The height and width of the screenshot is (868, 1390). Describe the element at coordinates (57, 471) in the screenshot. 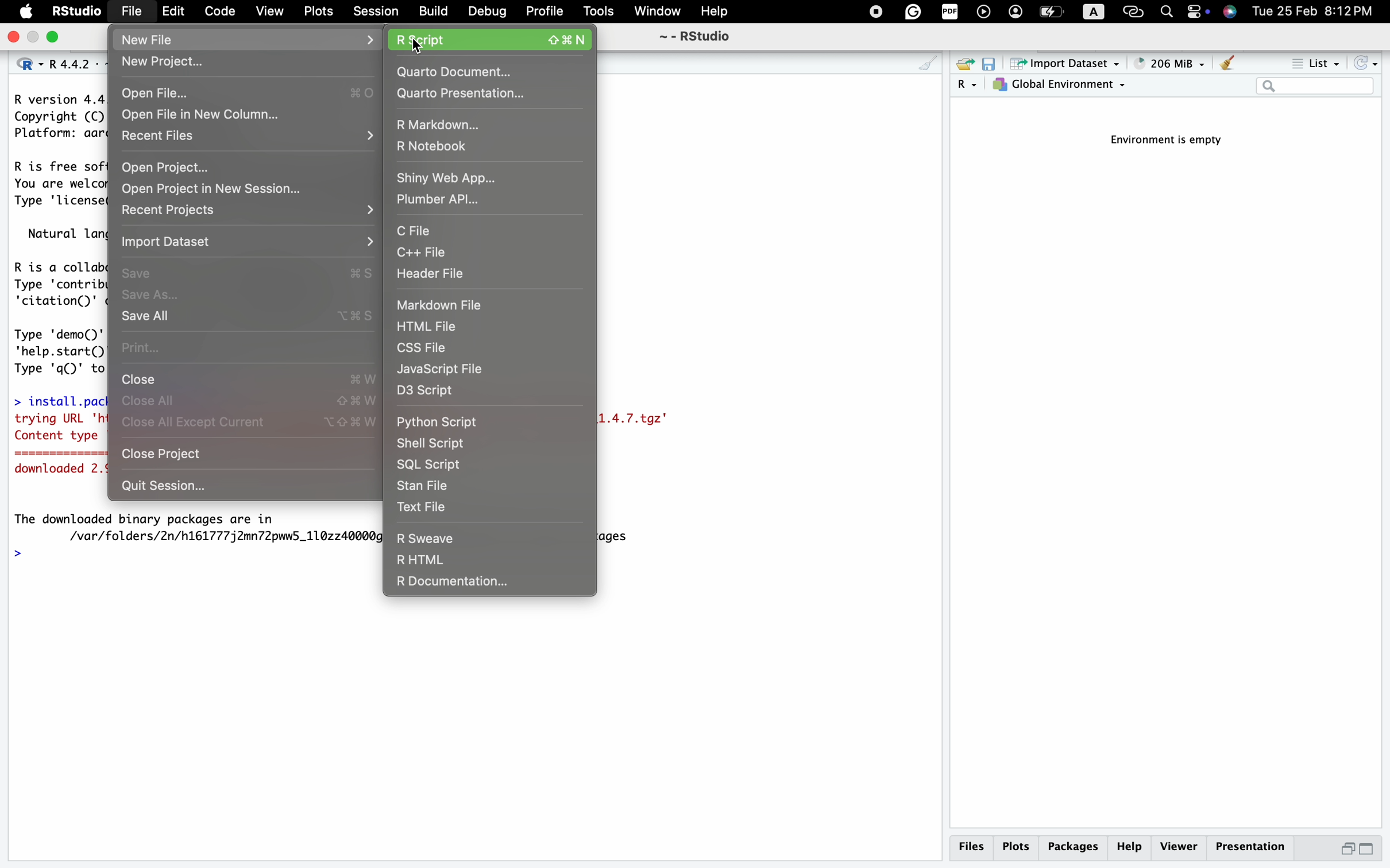

I see `downloaded 2.9 MB` at that location.